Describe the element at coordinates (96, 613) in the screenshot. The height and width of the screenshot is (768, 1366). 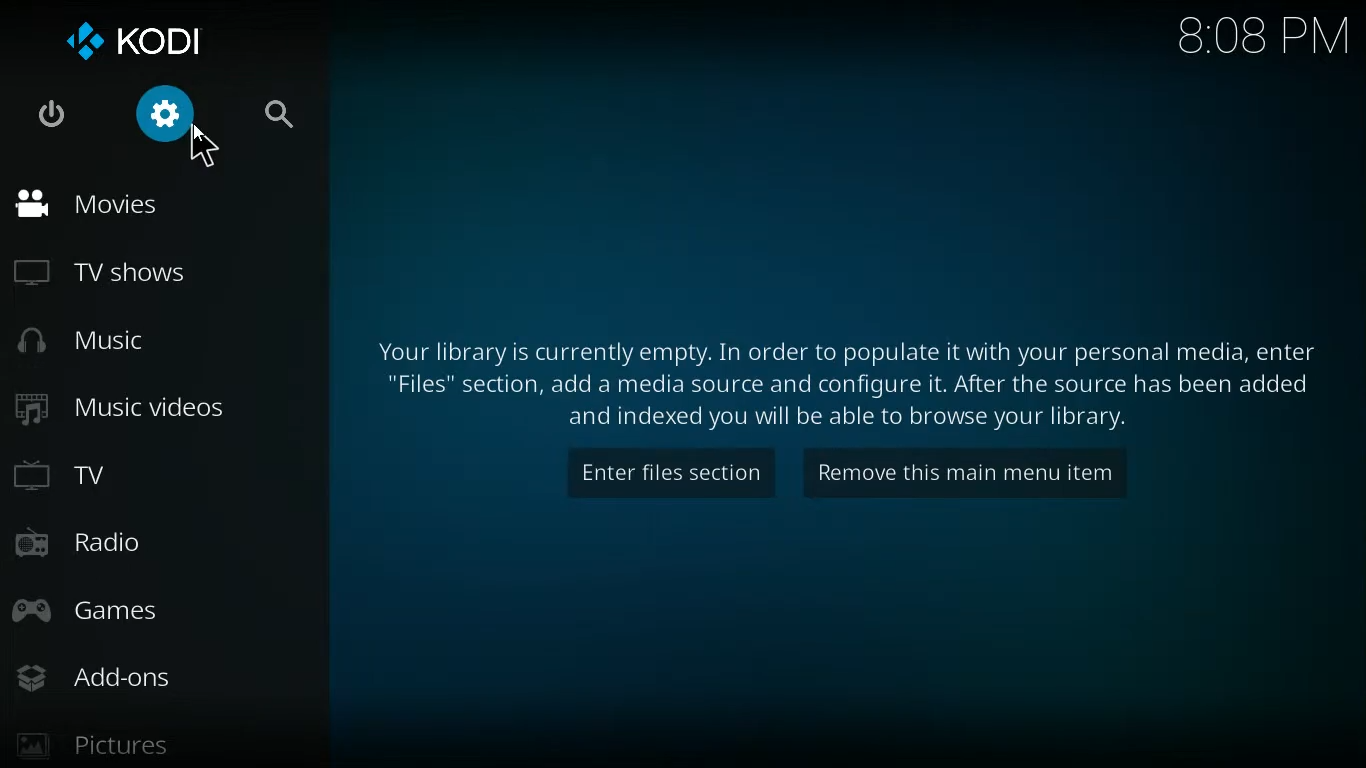
I see `games` at that location.